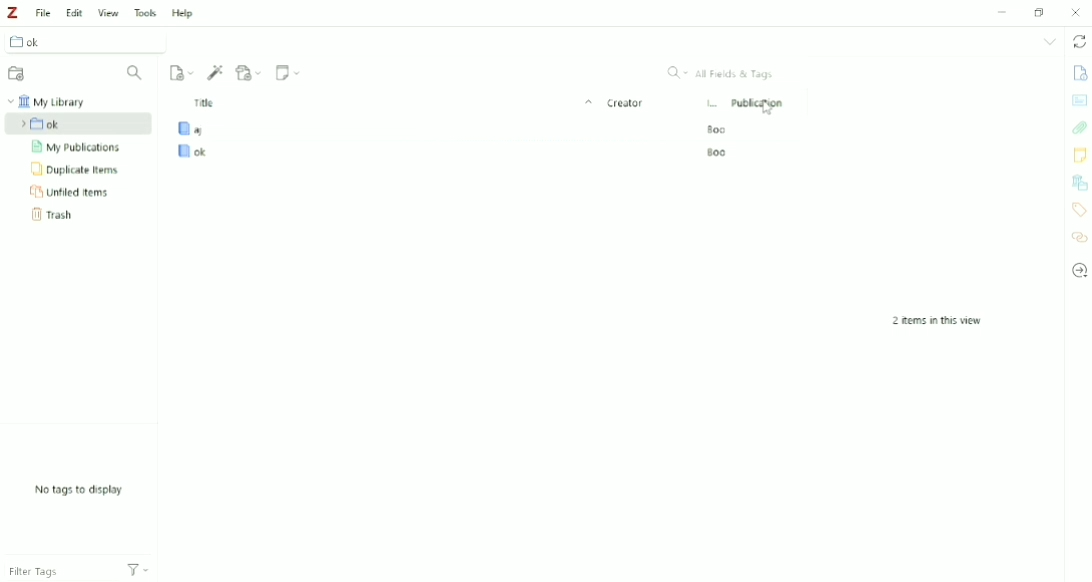 The image size is (1092, 582). What do you see at coordinates (215, 73) in the screenshot?
I see `Add Item (s) by Identifier` at bounding box center [215, 73].